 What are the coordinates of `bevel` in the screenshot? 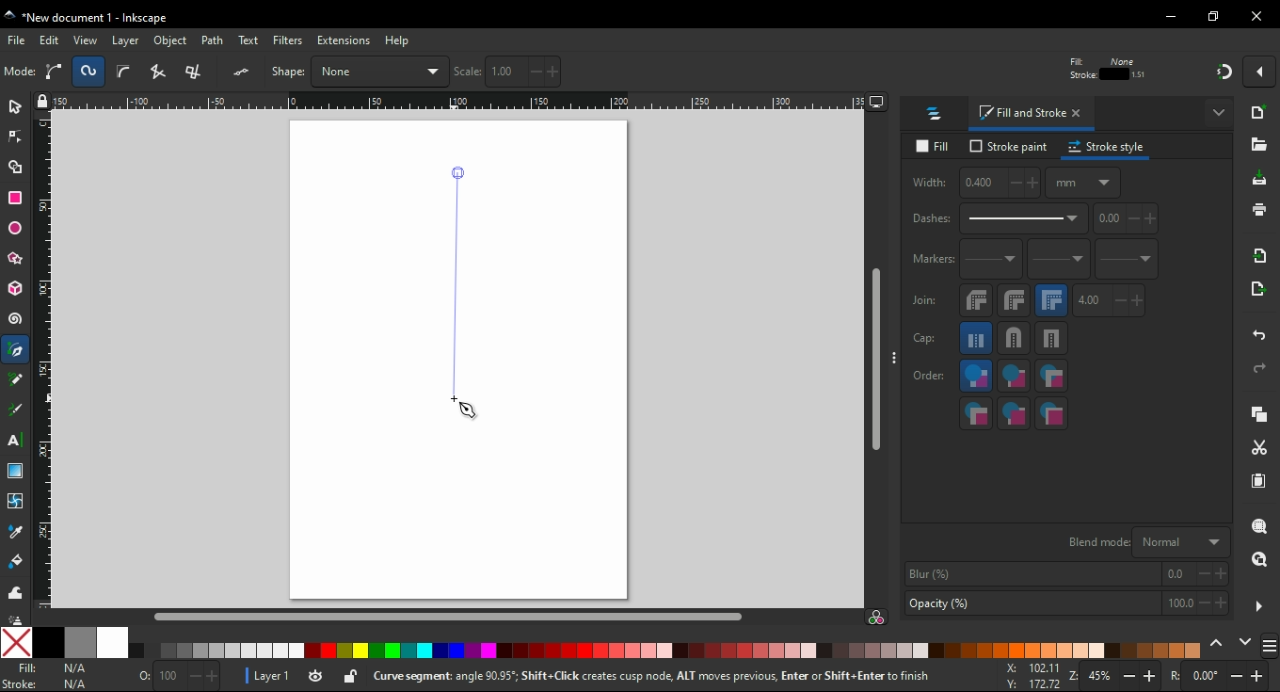 It's located at (977, 301).